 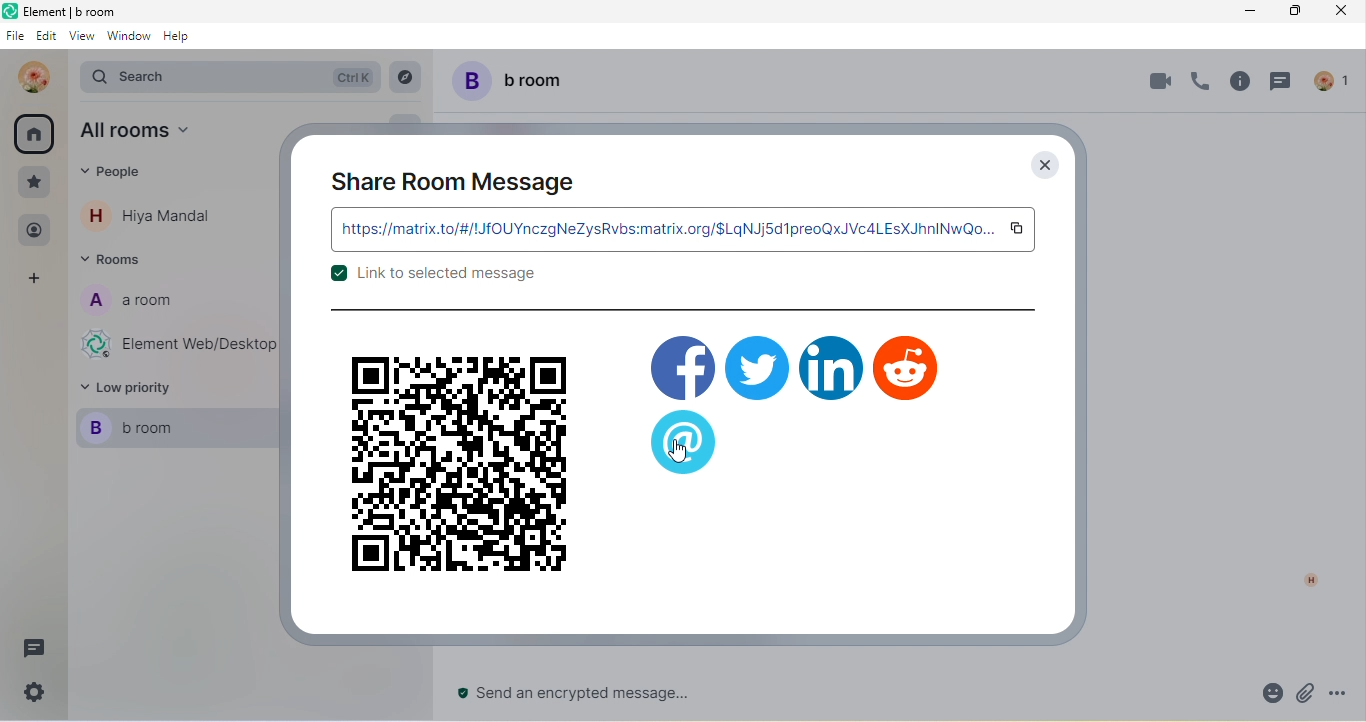 What do you see at coordinates (1344, 693) in the screenshot?
I see `option` at bounding box center [1344, 693].